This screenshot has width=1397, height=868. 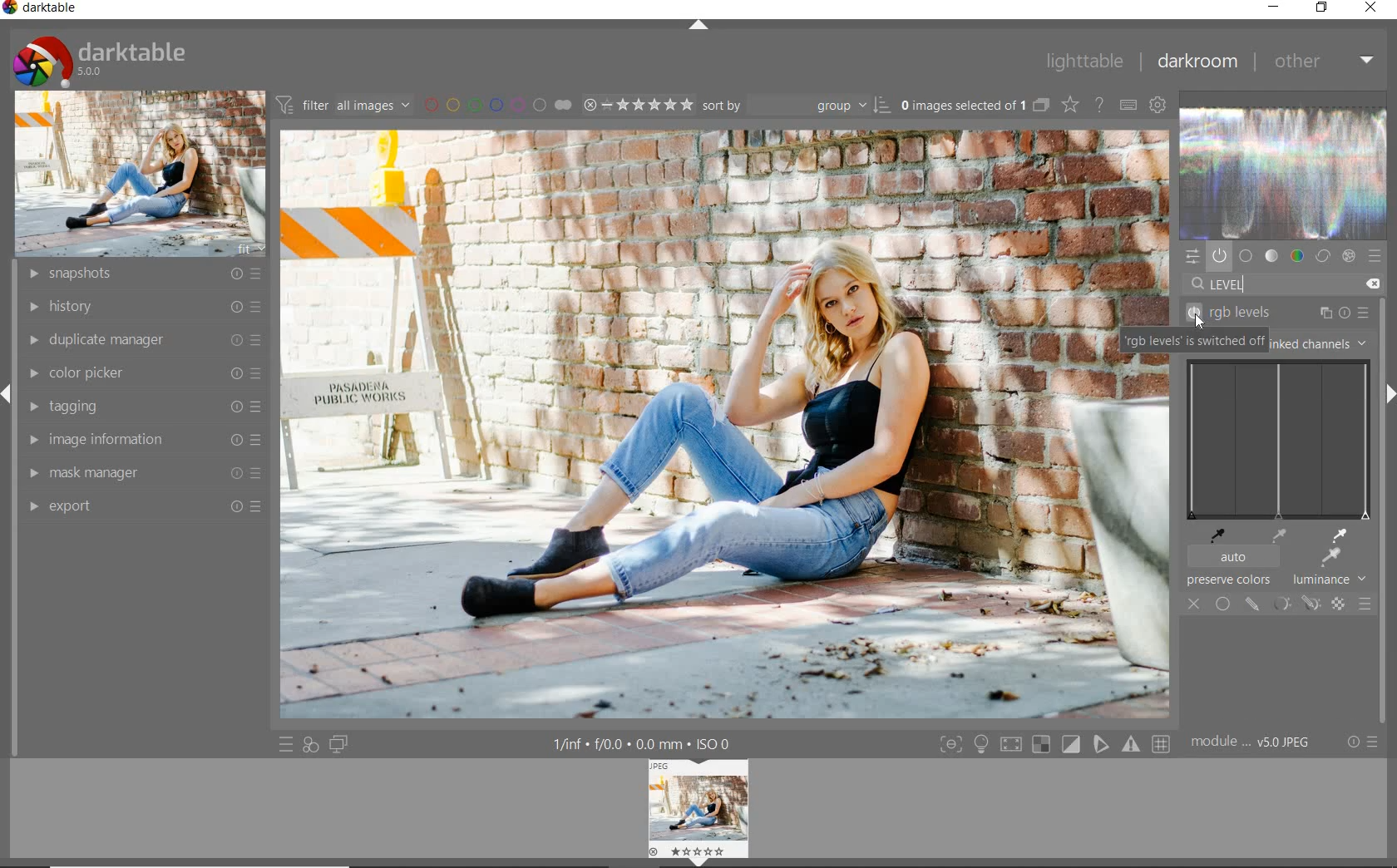 I want to click on quick access panel, so click(x=1193, y=257).